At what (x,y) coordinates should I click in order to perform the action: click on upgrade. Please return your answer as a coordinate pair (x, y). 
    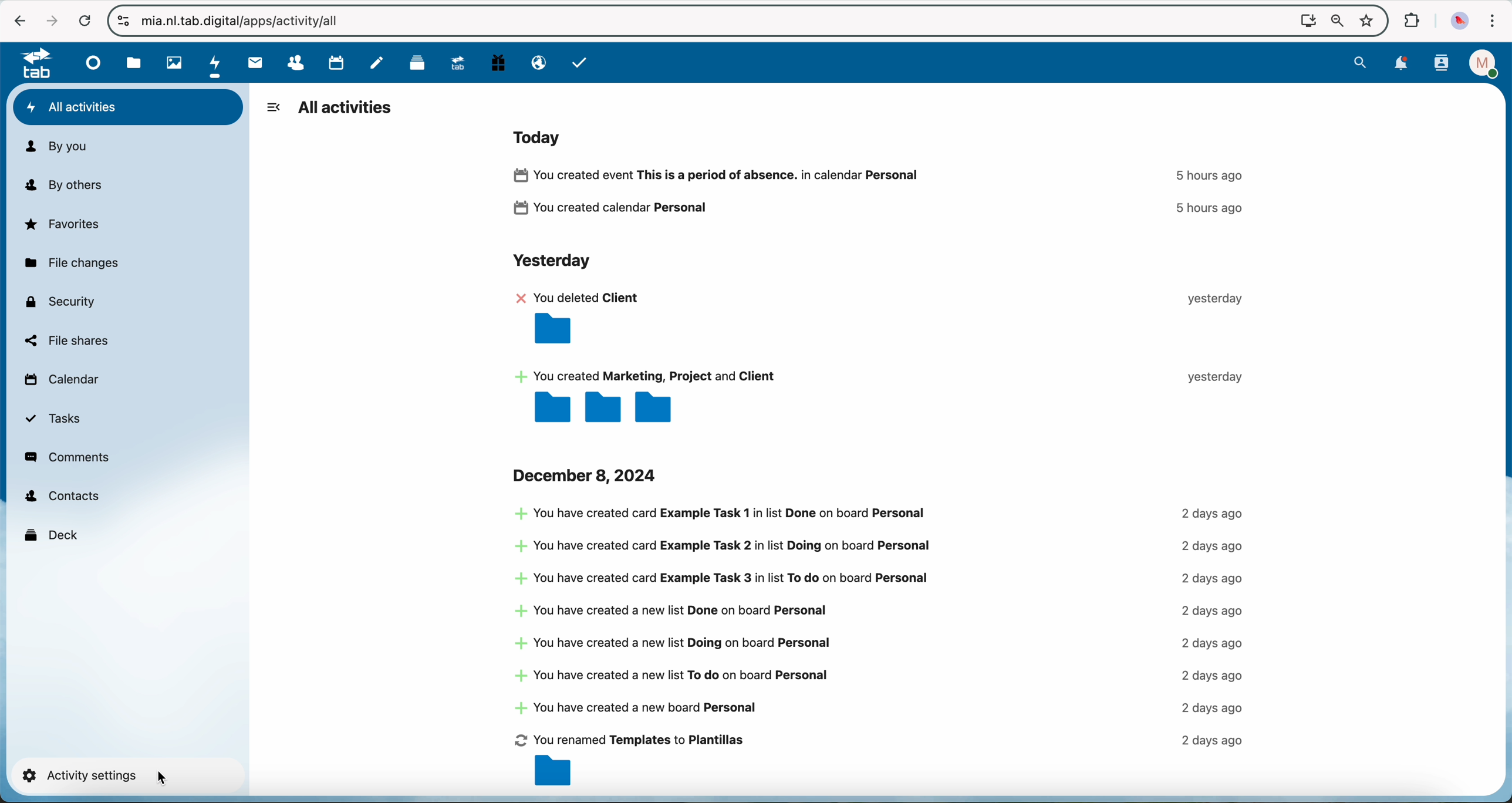
    Looking at the image, I should click on (455, 62).